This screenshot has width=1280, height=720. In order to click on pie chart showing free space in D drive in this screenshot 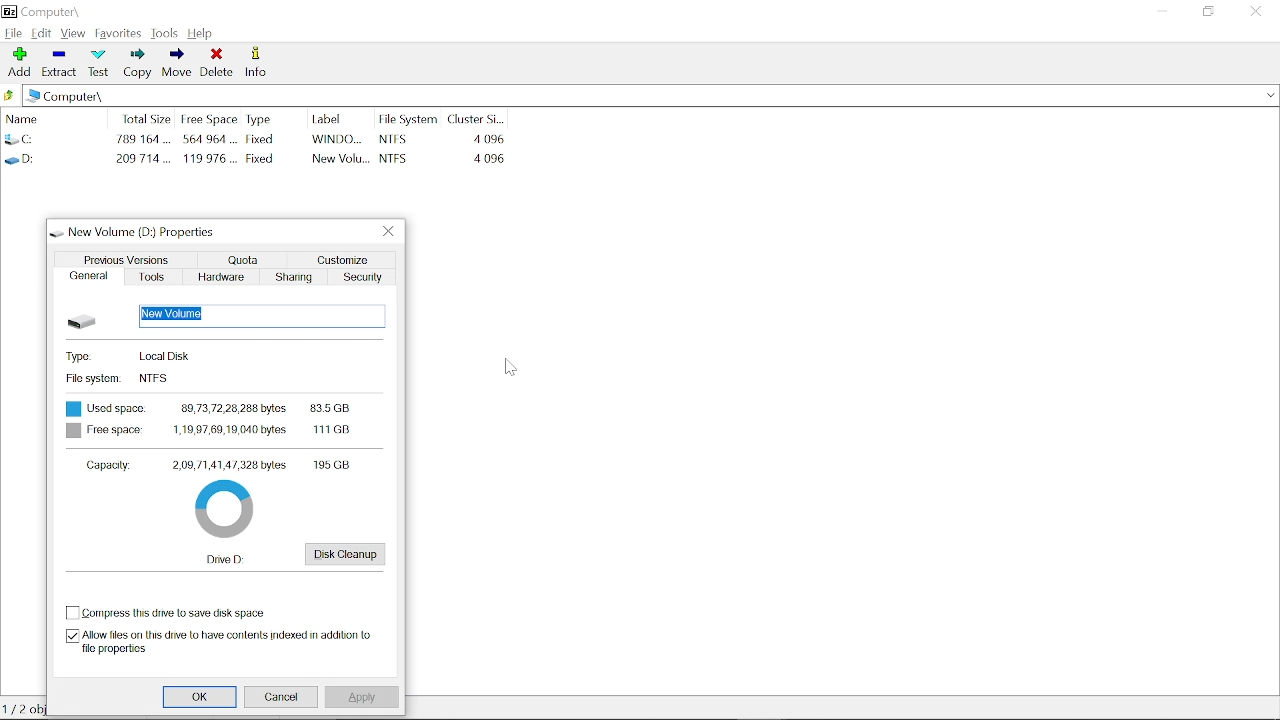, I will do `click(220, 523)`.